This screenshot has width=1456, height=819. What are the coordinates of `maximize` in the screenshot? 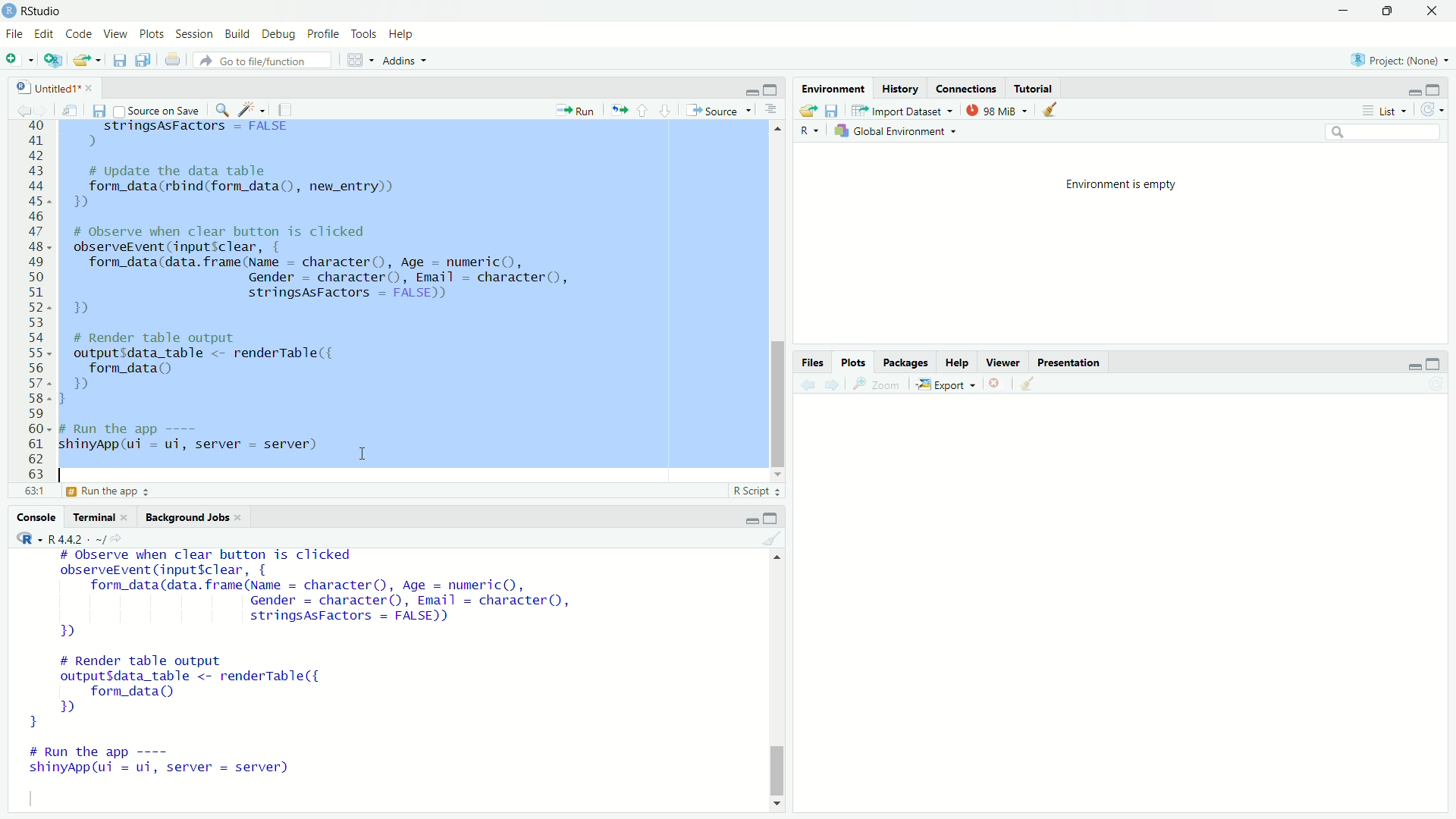 It's located at (1441, 362).